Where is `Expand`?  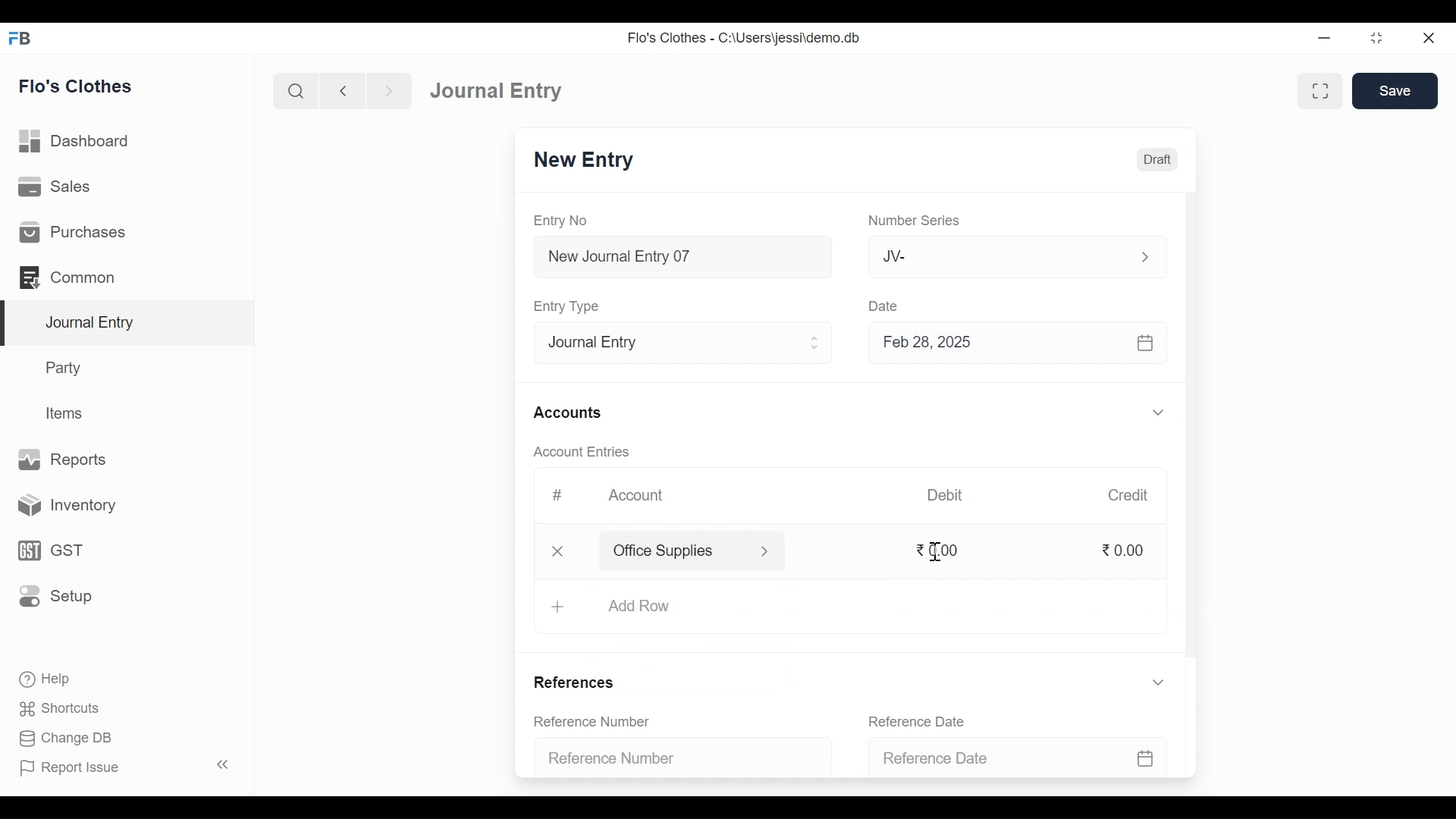
Expand is located at coordinates (1159, 682).